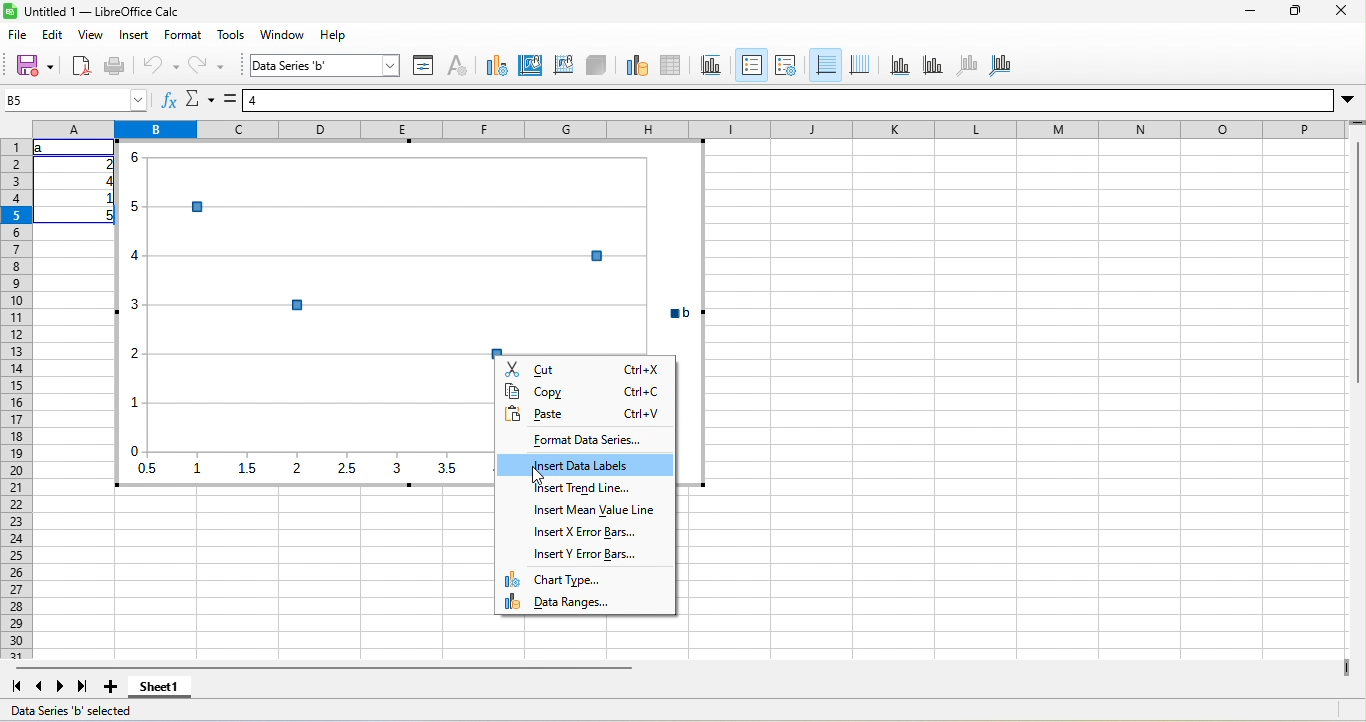  Describe the element at coordinates (585, 601) in the screenshot. I see `data ranges` at that location.